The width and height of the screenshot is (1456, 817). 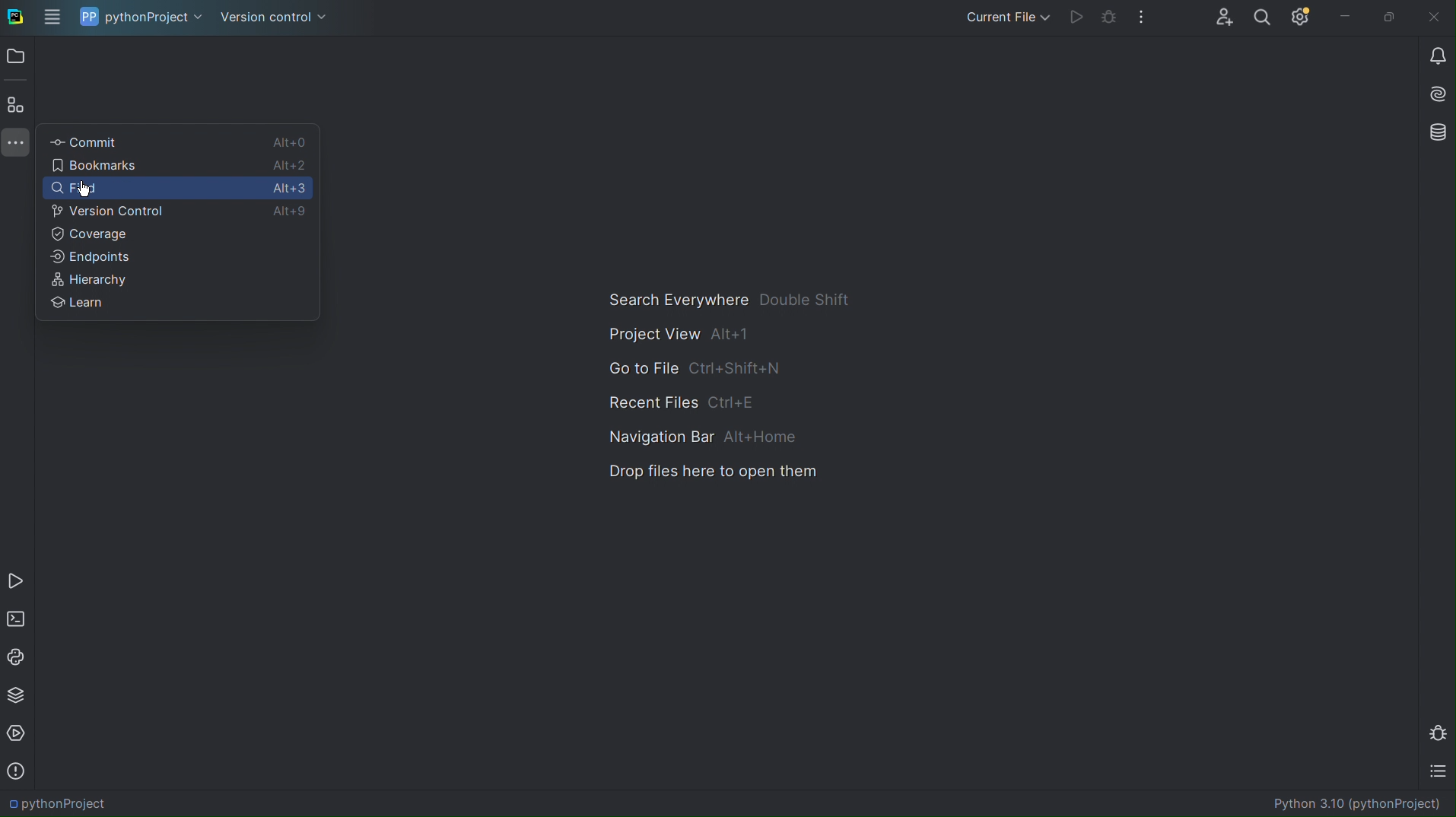 I want to click on pythonProject, so click(x=141, y=16).